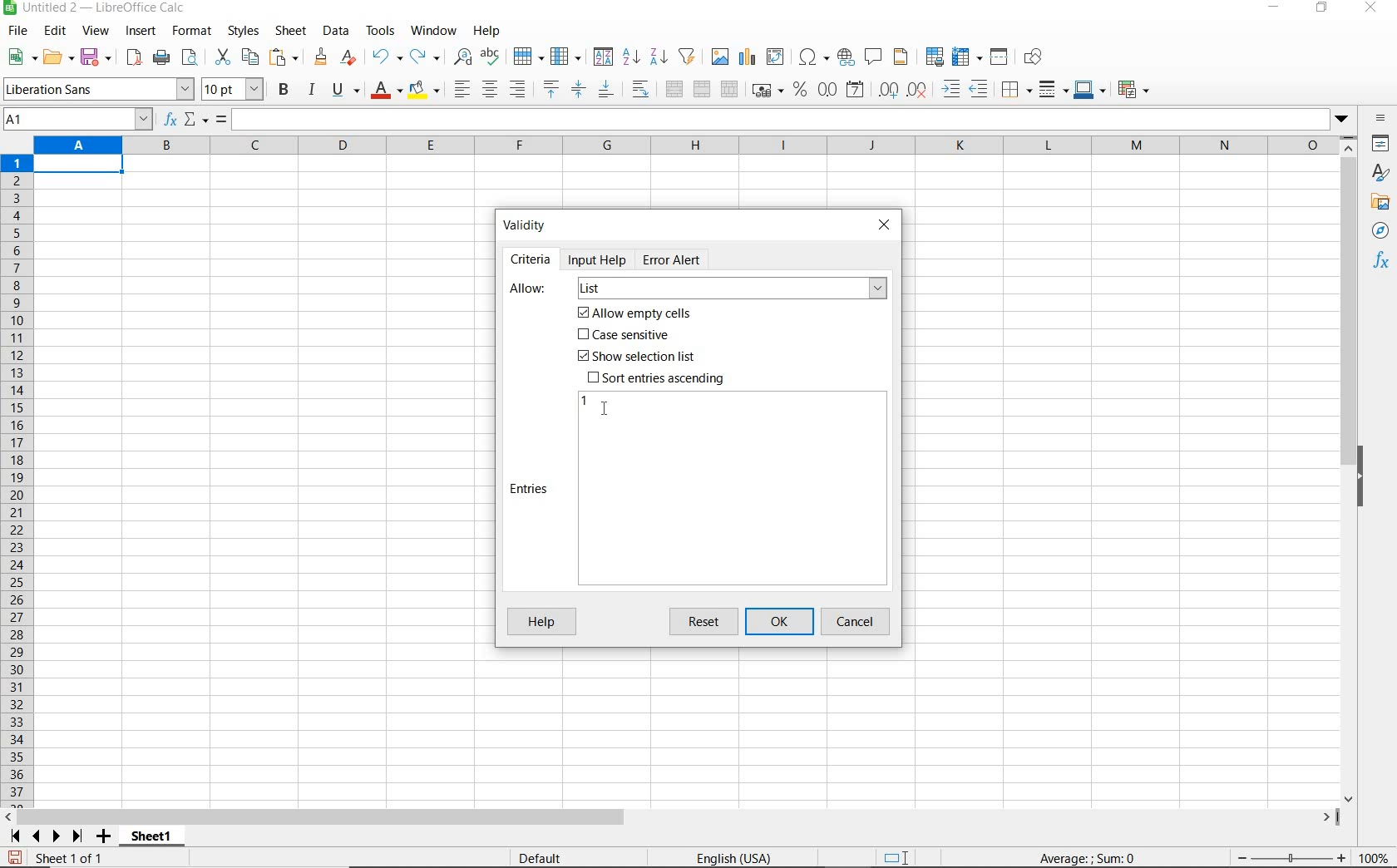 The height and width of the screenshot is (868, 1397). Describe the element at coordinates (1383, 234) in the screenshot. I see `navigator` at that location.